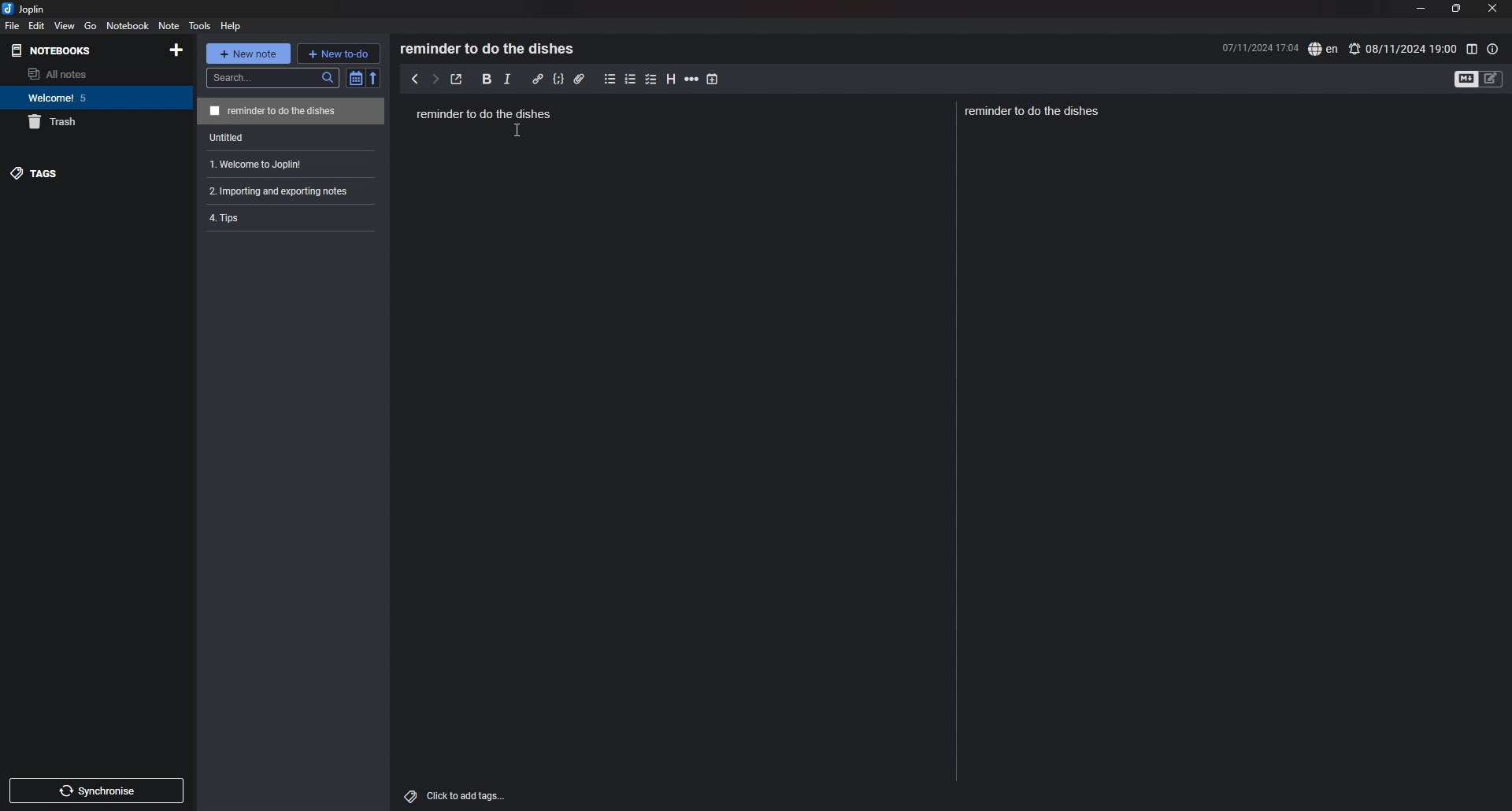 This screenshot has height=811, width=1512. I want to click on numbered list, so click(631, 80).